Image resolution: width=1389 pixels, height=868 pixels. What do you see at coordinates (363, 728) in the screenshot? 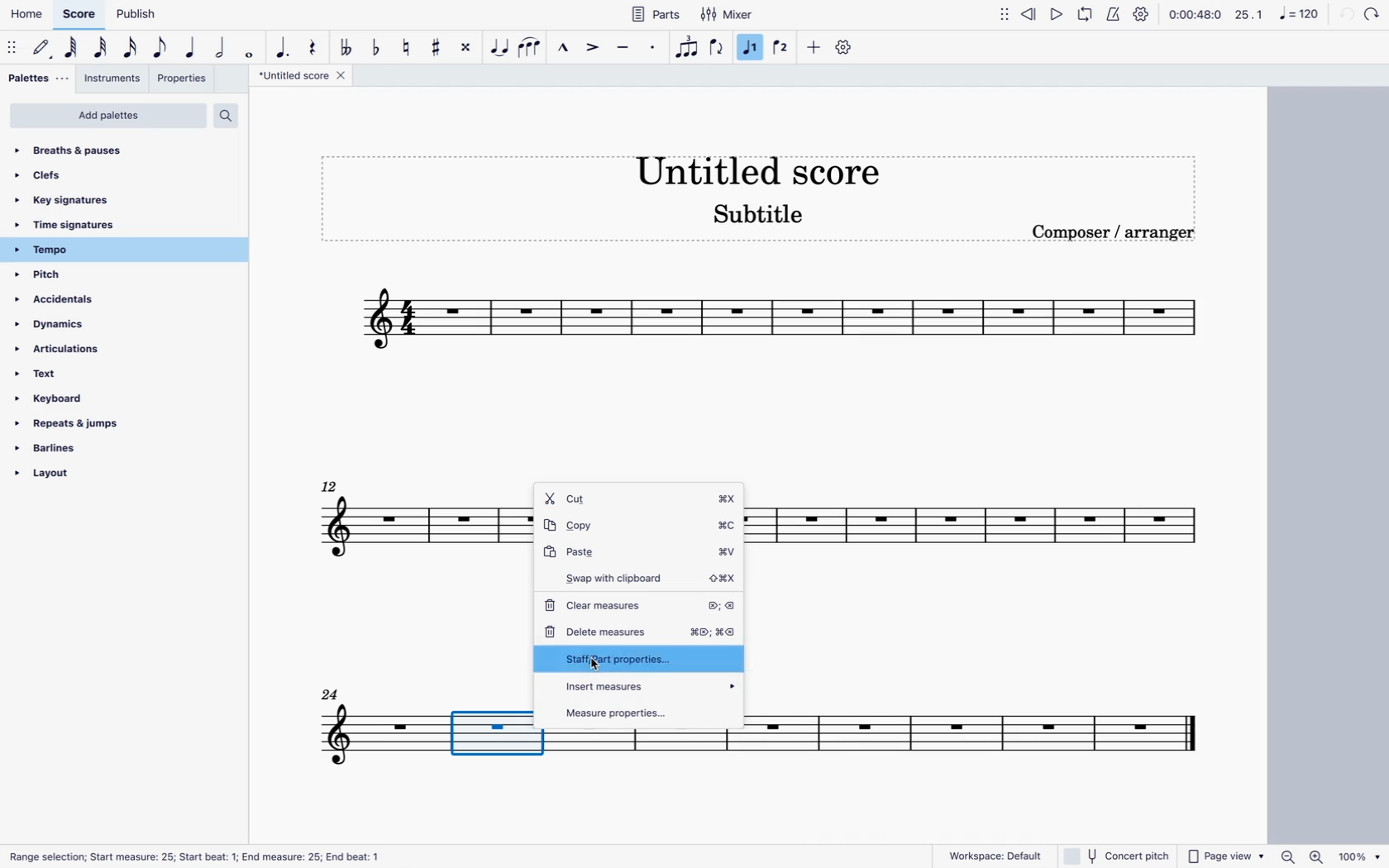
I see `score` at bounding box center [363, 728].